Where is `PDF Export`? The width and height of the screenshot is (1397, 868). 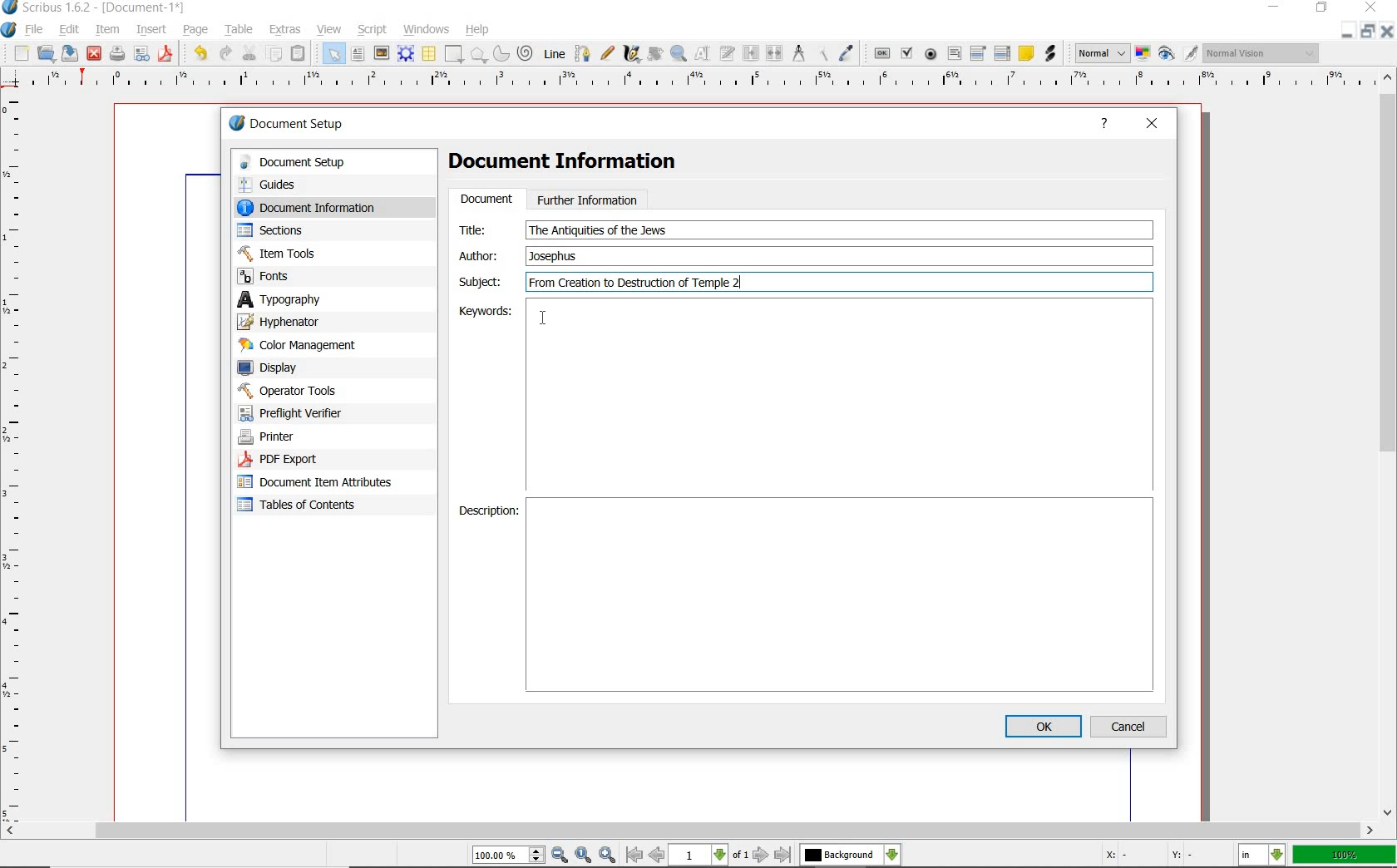 PDF Export is located at coordinates (308, 459).